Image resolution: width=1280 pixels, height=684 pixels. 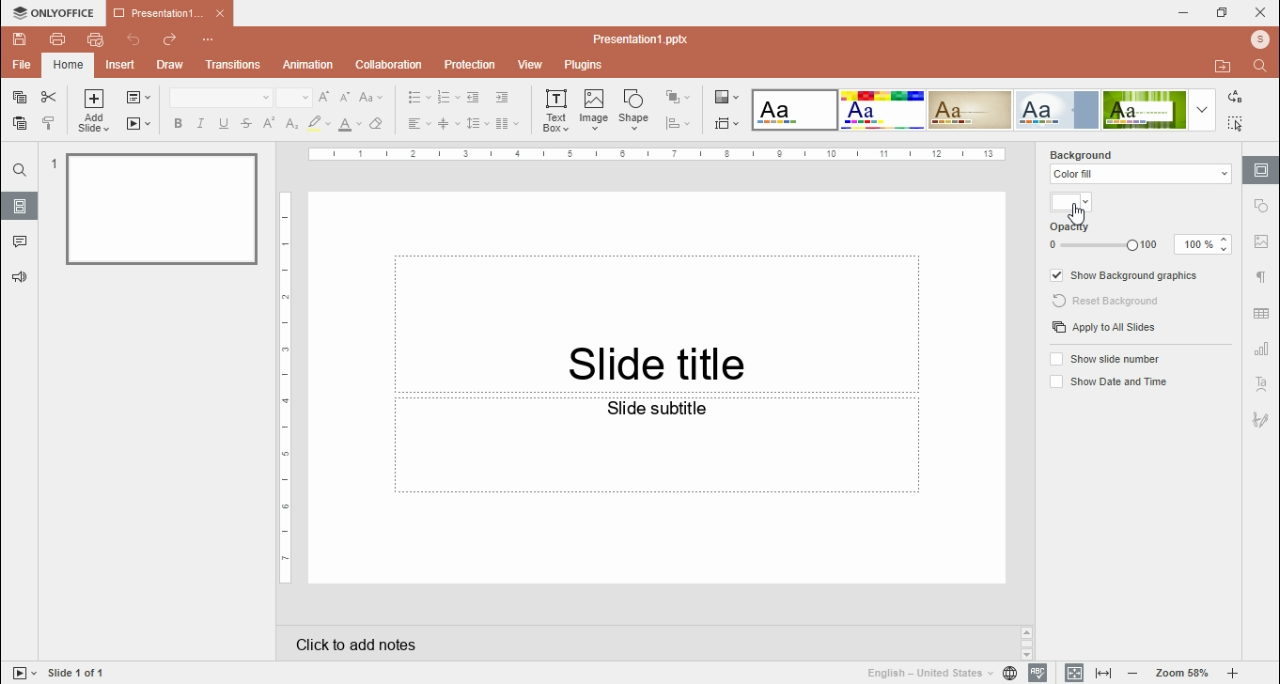 What do you see at coordinates (659, 446) in the screenshot?
I see `text box` at bounding box center [659, 446].